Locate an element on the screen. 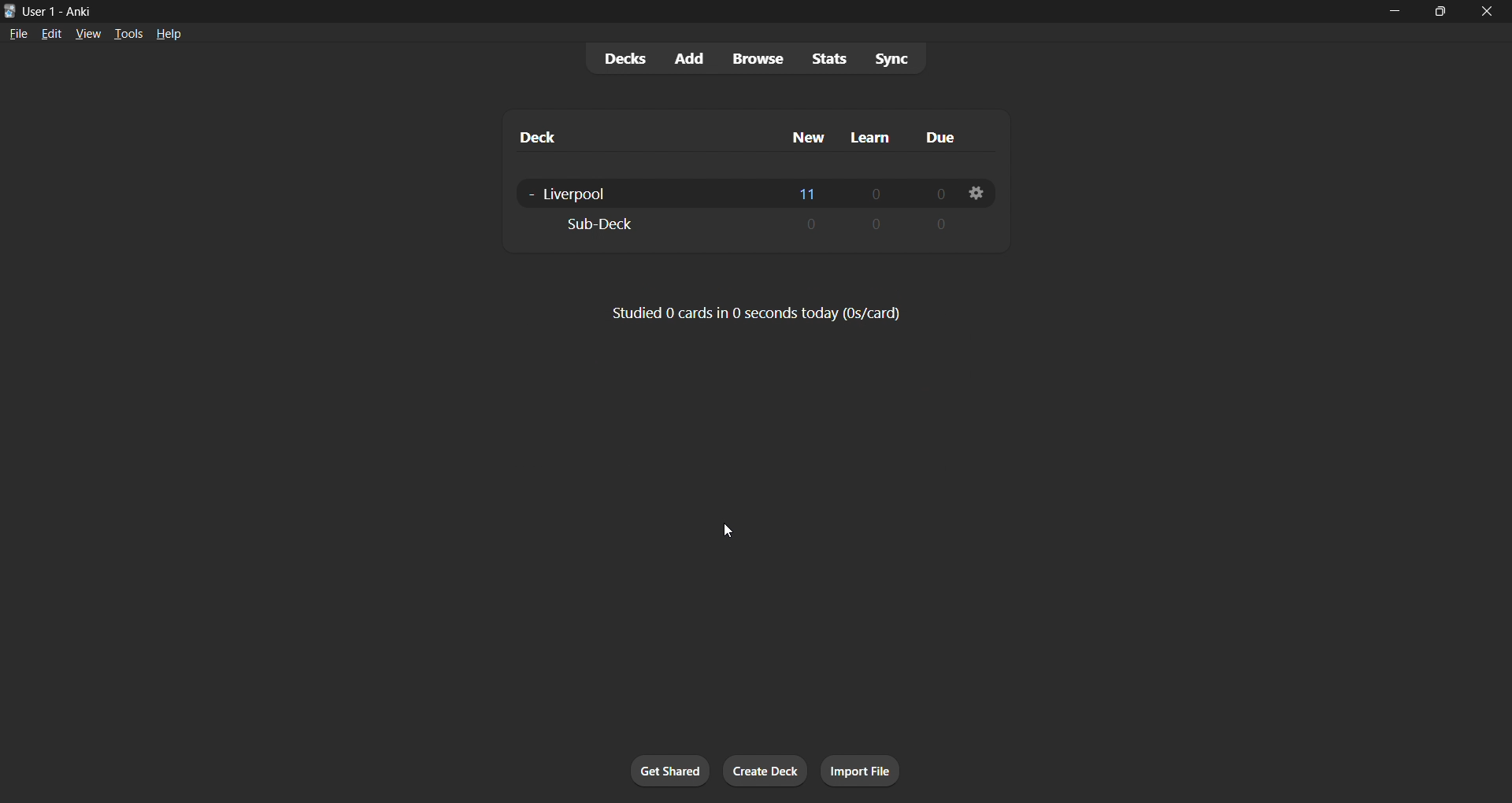 The height and width of the screenshot is (803, 1512). card stats is located at coordinates (760, 312).